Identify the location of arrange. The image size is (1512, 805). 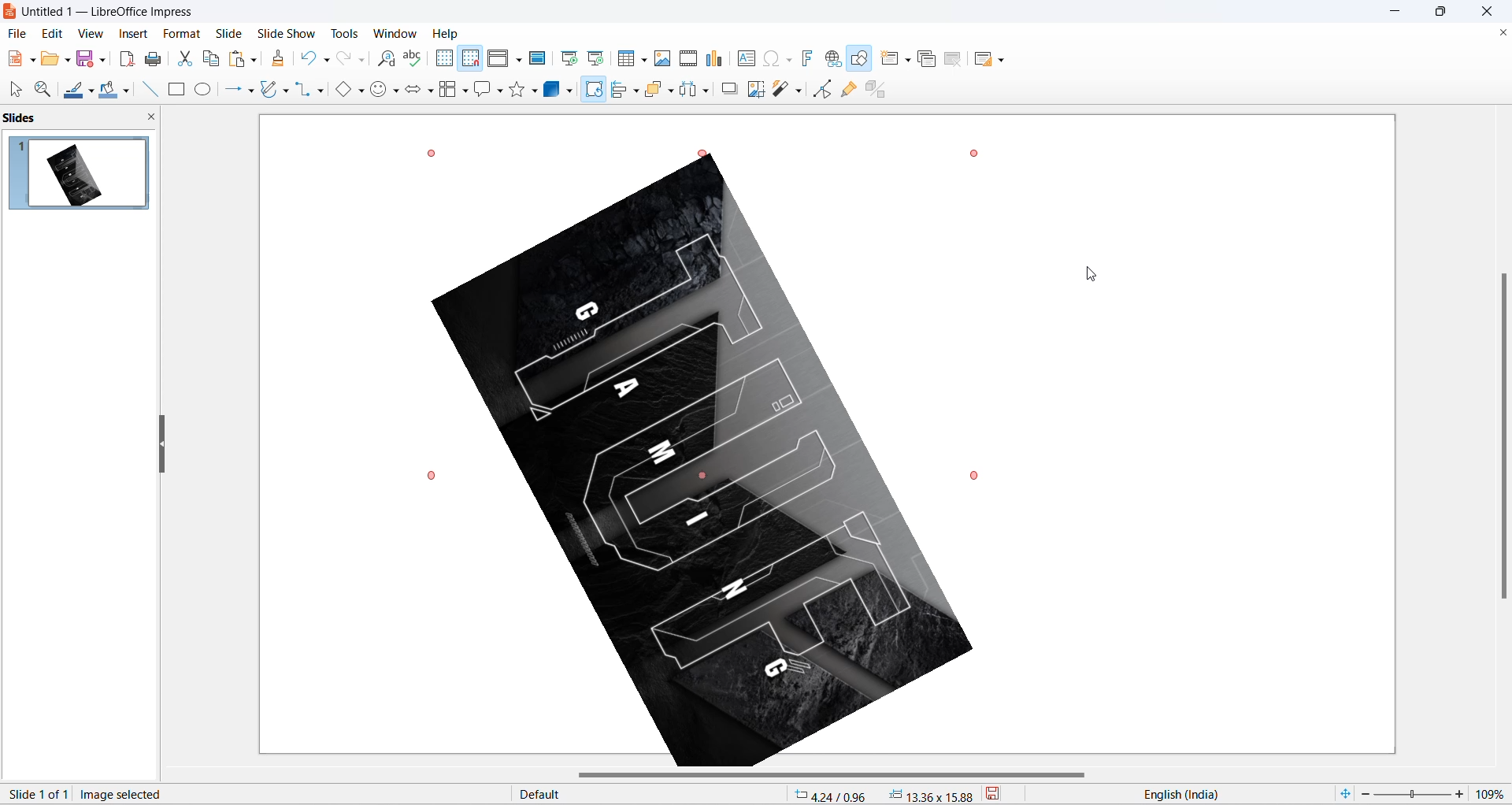
(658, 88).